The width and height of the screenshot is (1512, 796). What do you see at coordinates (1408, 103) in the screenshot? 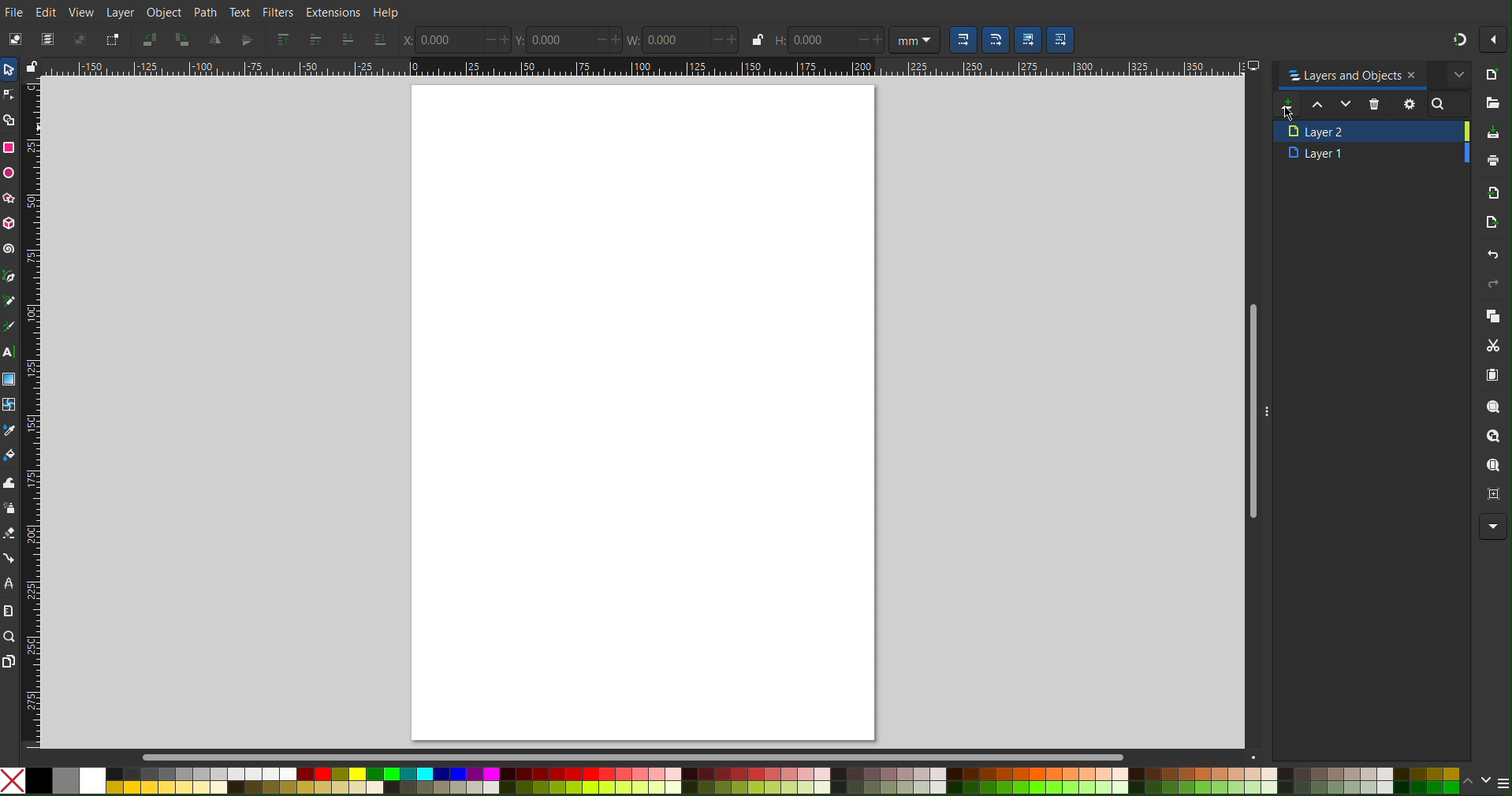
I see `Settings` at bounding box center [1408, 103].